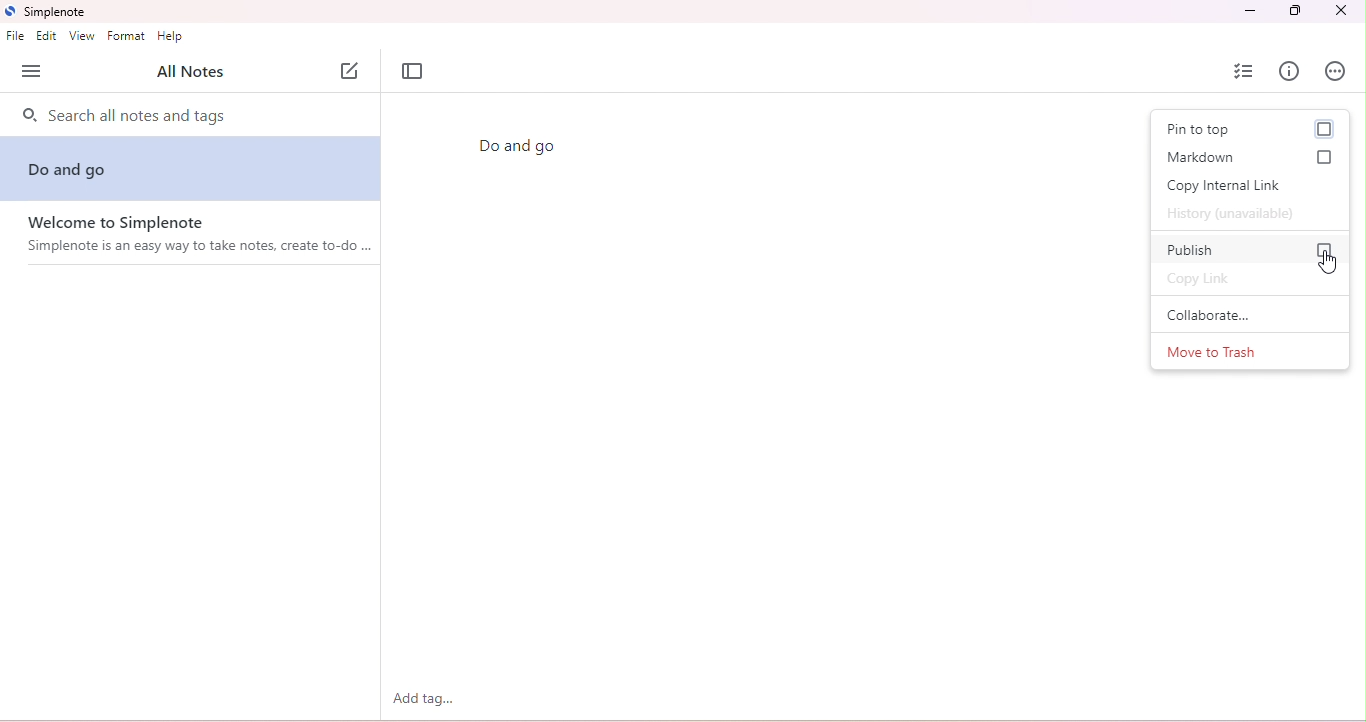 The width and height of the screenshot is (1366, 722). I want to click on checkbox, so click(1326, 158).